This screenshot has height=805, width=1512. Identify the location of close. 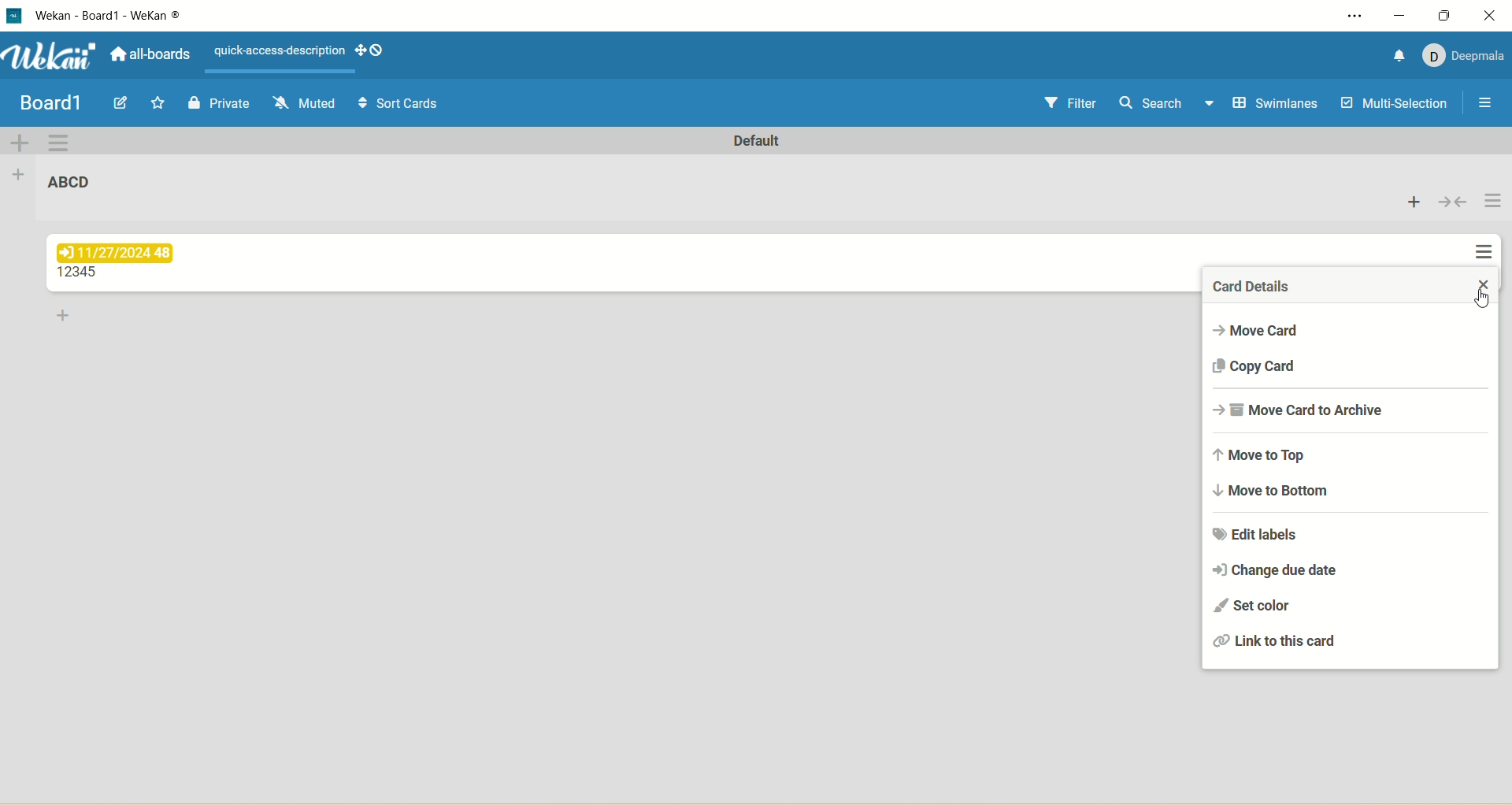
(1493, 15).